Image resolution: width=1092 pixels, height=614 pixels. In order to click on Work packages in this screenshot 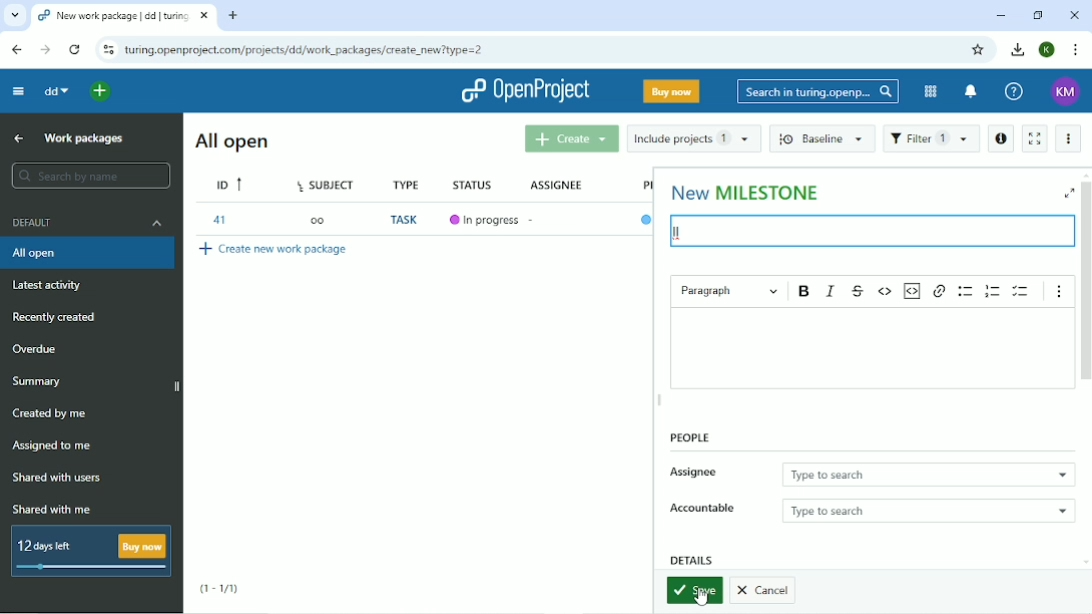, I will do `click(83, 139)`.